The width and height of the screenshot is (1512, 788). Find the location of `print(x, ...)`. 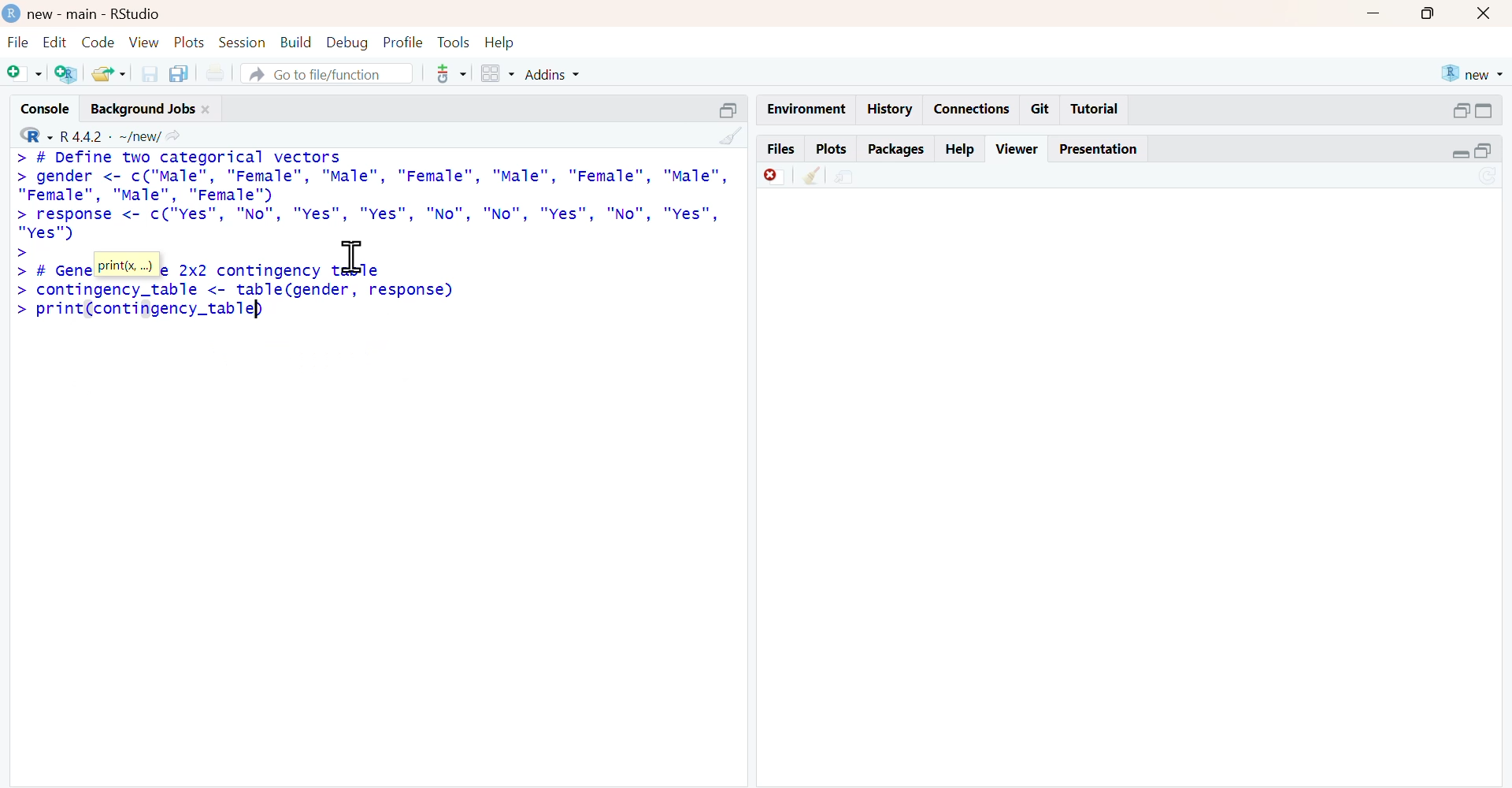

print(x, ...) is located at coordinates (127, 265).